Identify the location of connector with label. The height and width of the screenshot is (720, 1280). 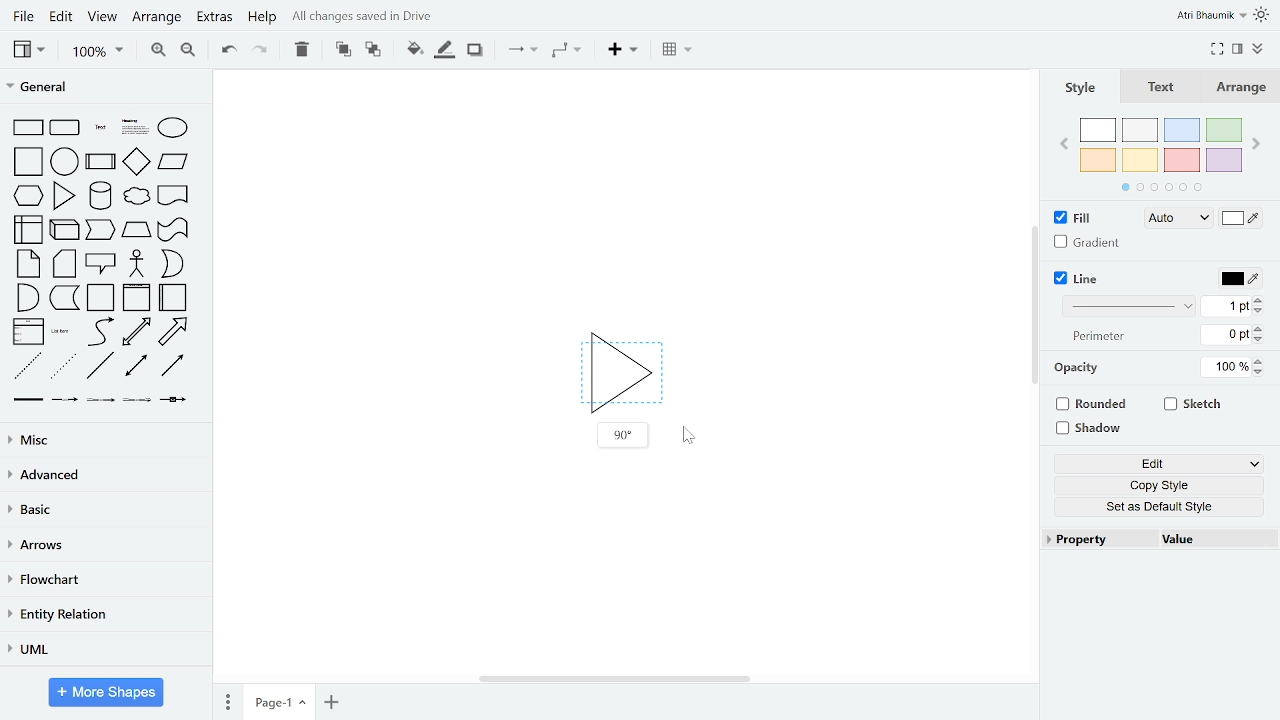
(63, 401).